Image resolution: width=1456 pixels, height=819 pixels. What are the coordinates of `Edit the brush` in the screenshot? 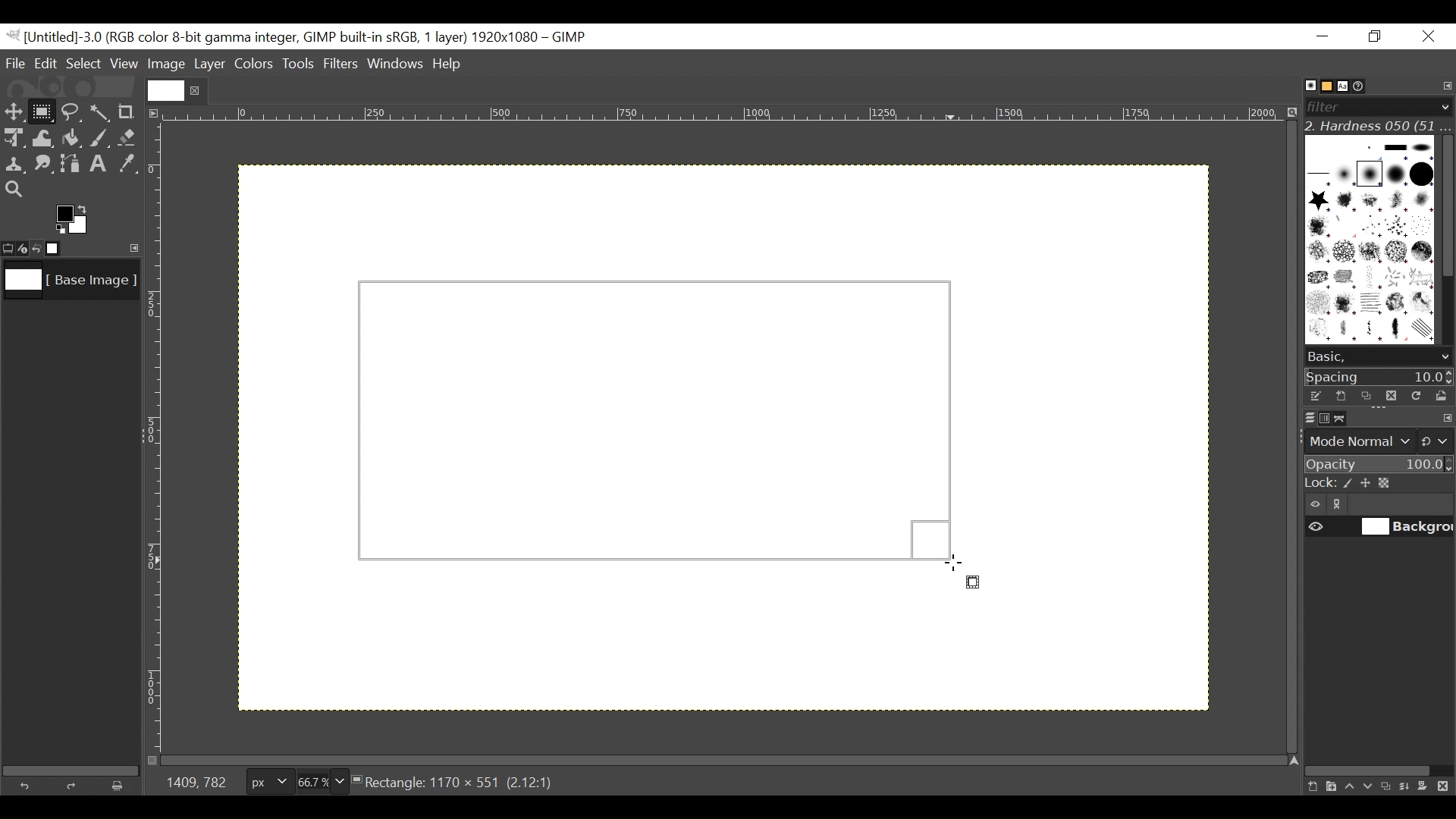 It's located at (1315, 396).